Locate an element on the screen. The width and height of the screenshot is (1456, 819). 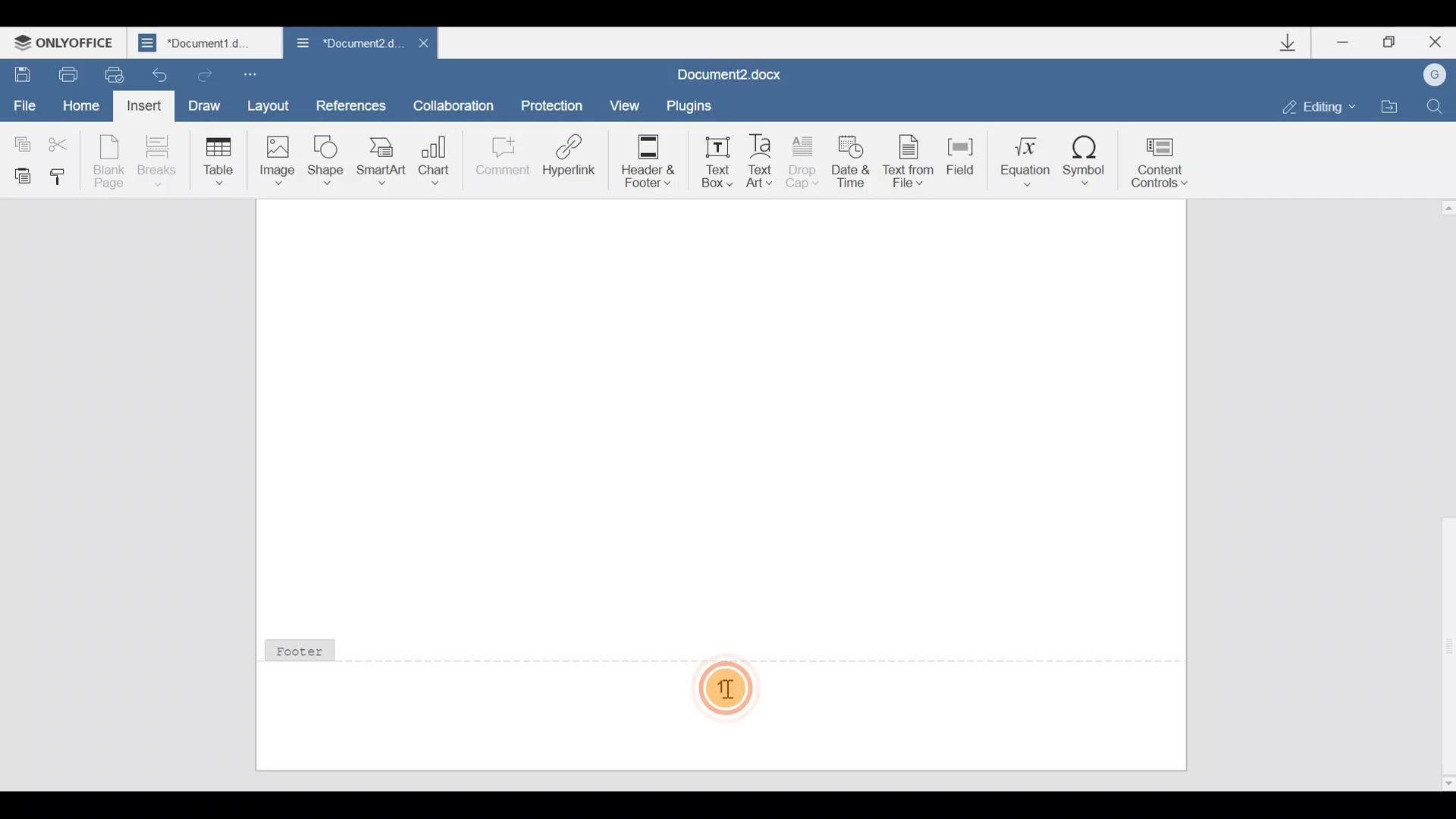
Find is located at coordinates (1441, 104).